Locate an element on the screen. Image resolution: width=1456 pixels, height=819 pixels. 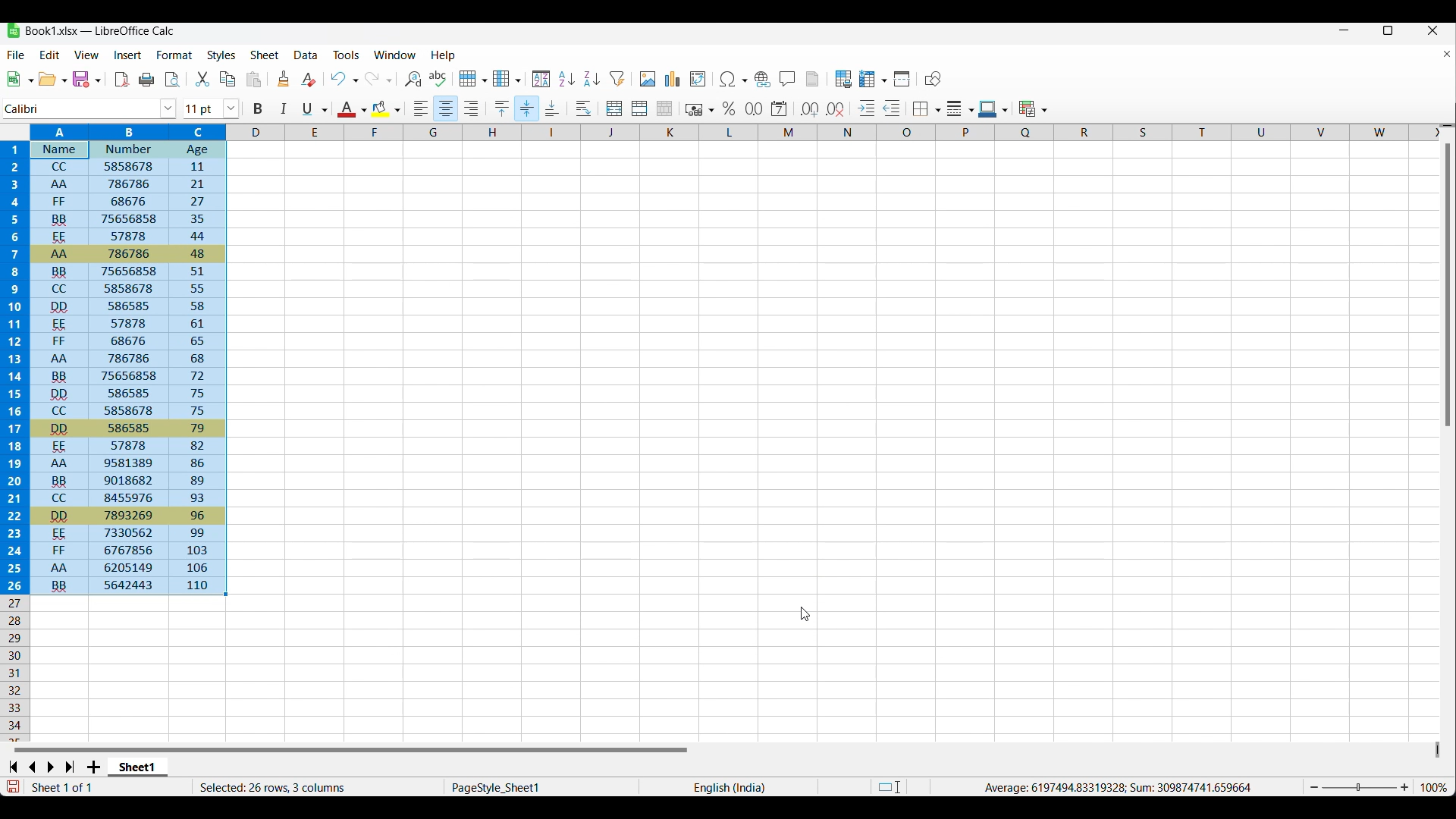
Current sheet is located at coordinates (138, 767).